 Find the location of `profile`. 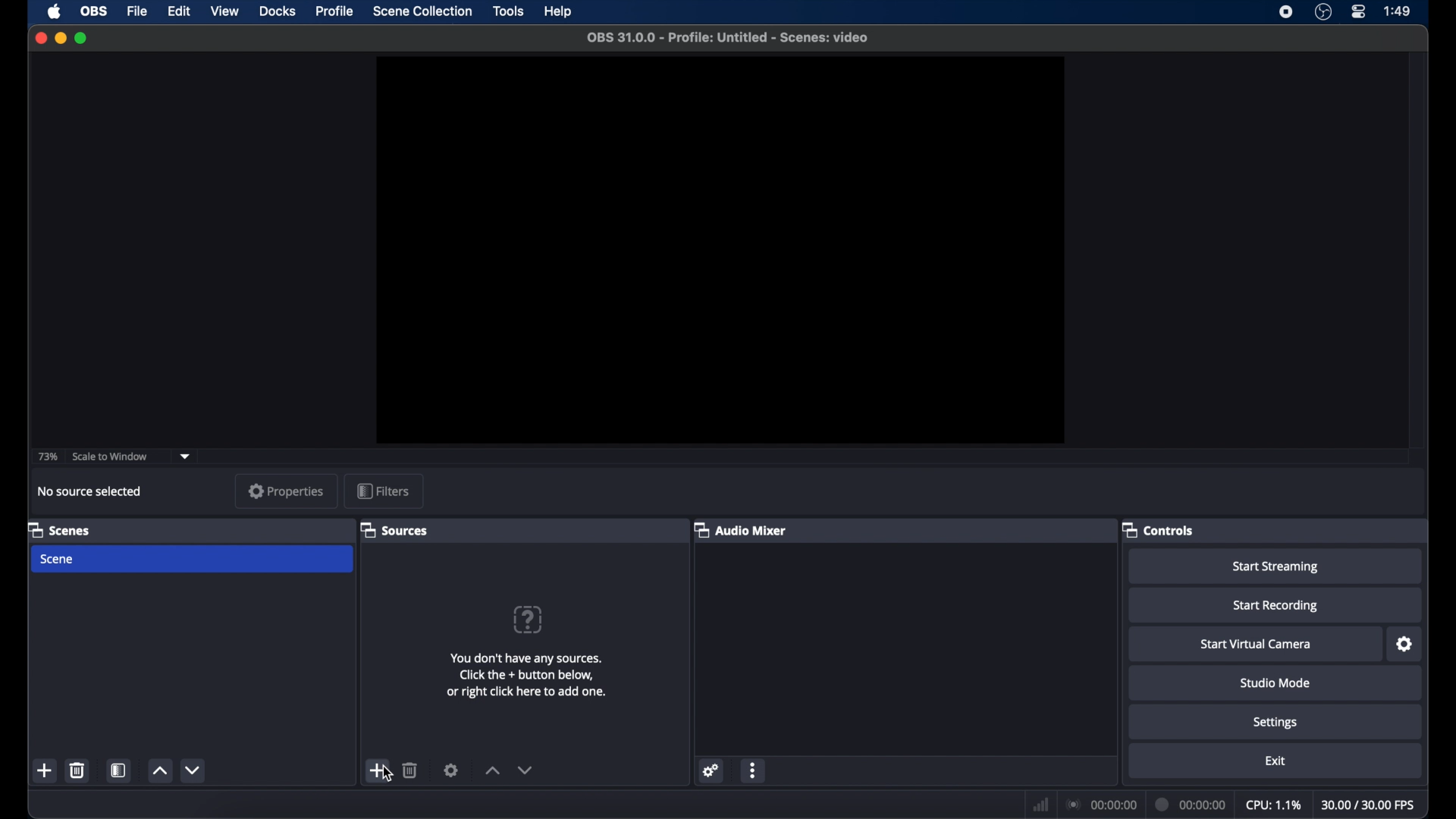

profile is located at coordinates (336, 11).